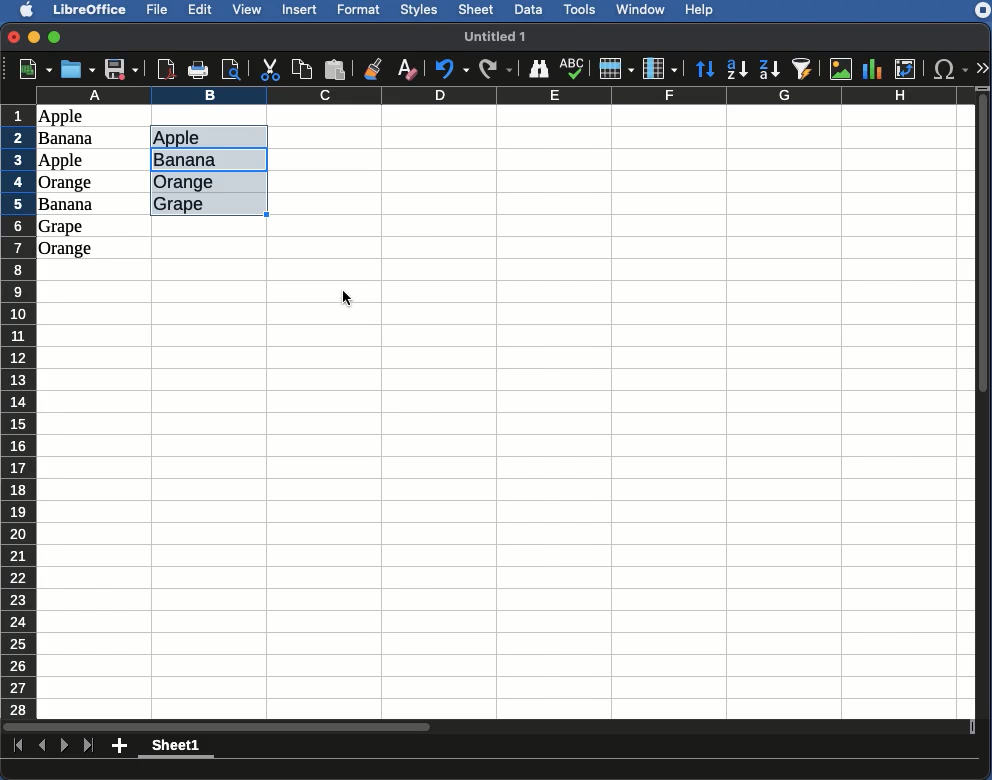 This screenshot has height=780, width=992. Describe the element at coordinates (496, 68) in the screenshot. I see `Redo` at that location.